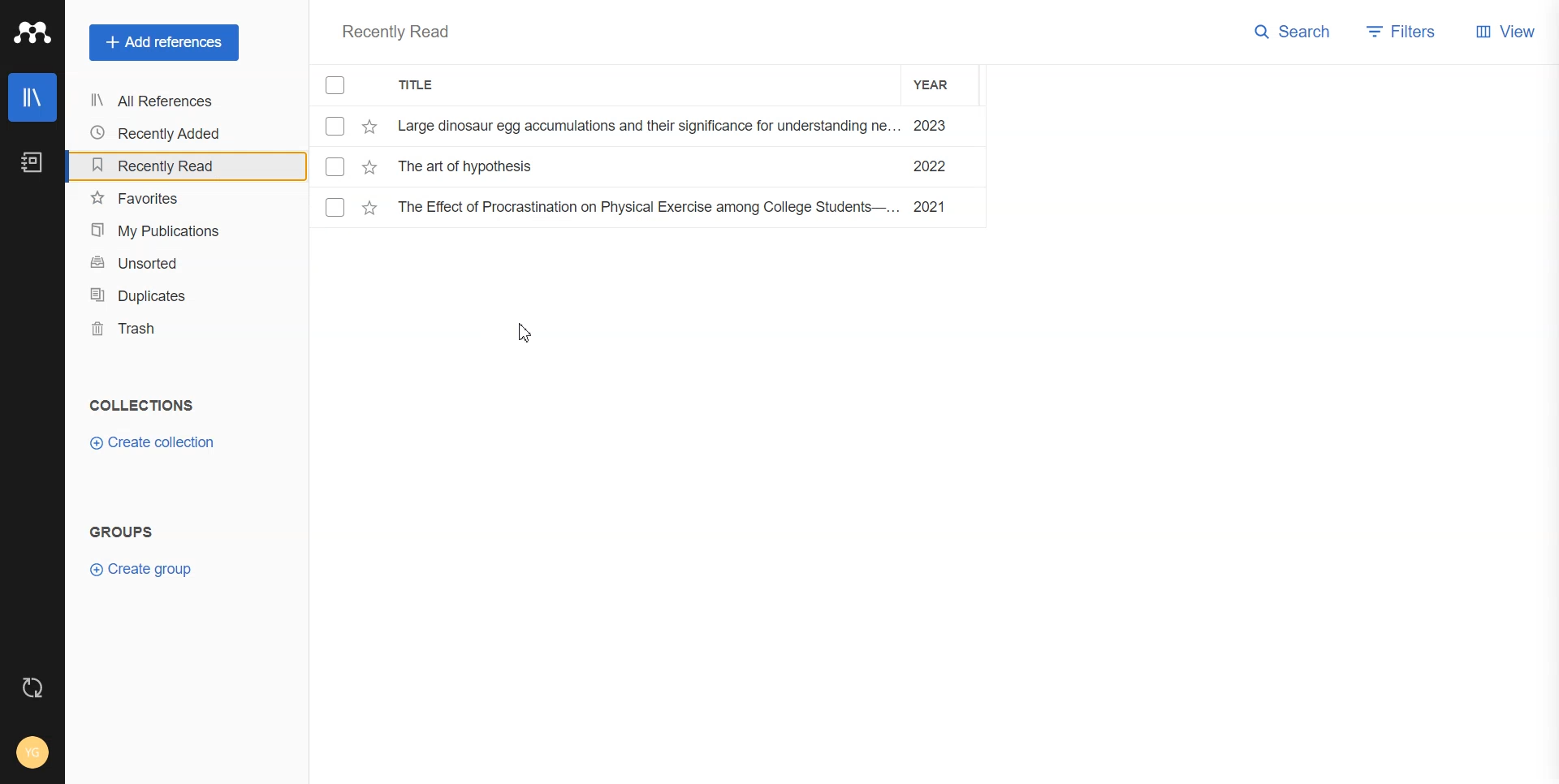 This screenshot has width=1559, height=784. Describe the element at coordinates (169, 296) in the screenshot. I see `Duplicates` at that location.